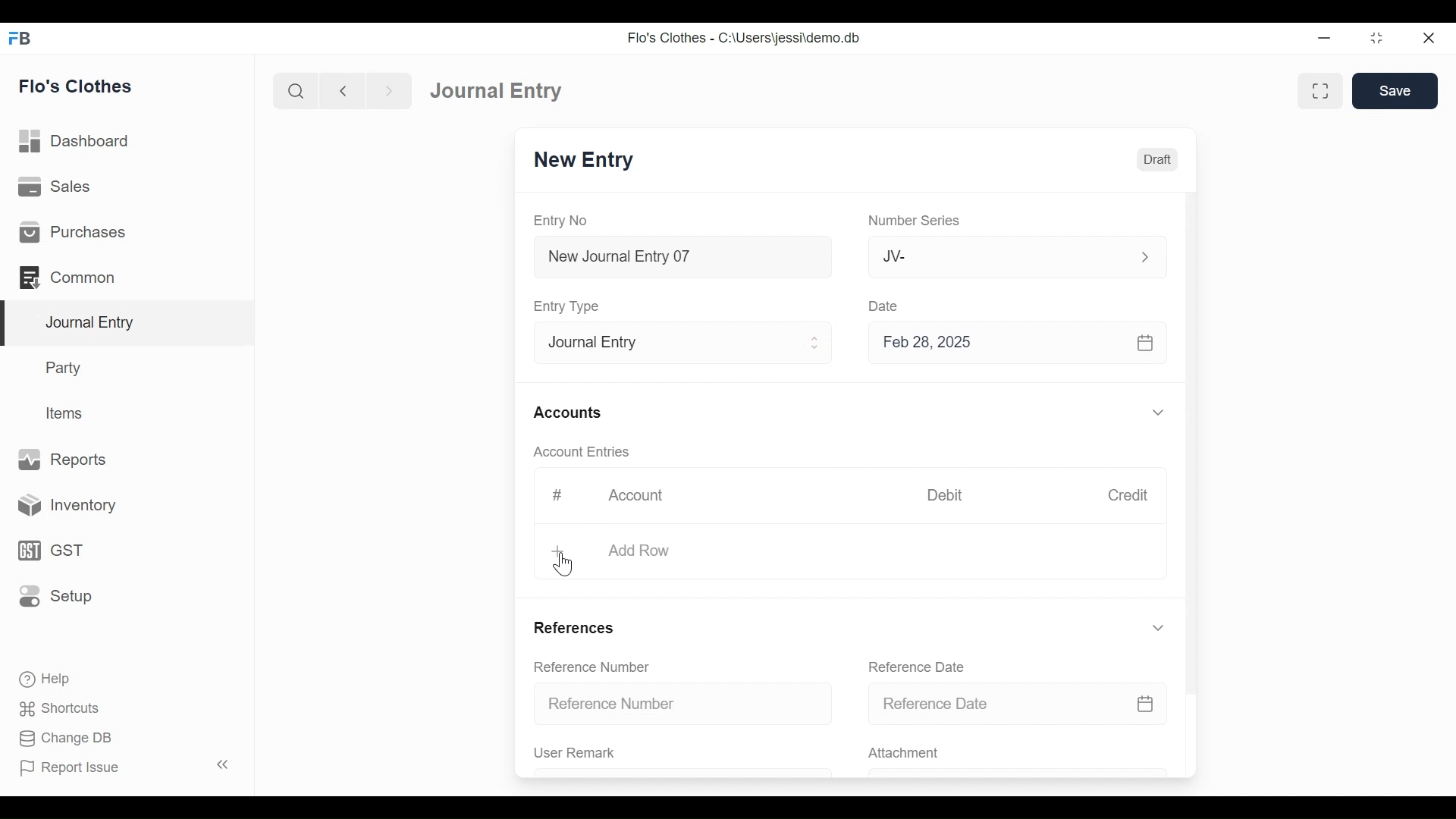  Describe the element at coordinates (593, 668) in the screenshot. I see `Reference Number` at that location.